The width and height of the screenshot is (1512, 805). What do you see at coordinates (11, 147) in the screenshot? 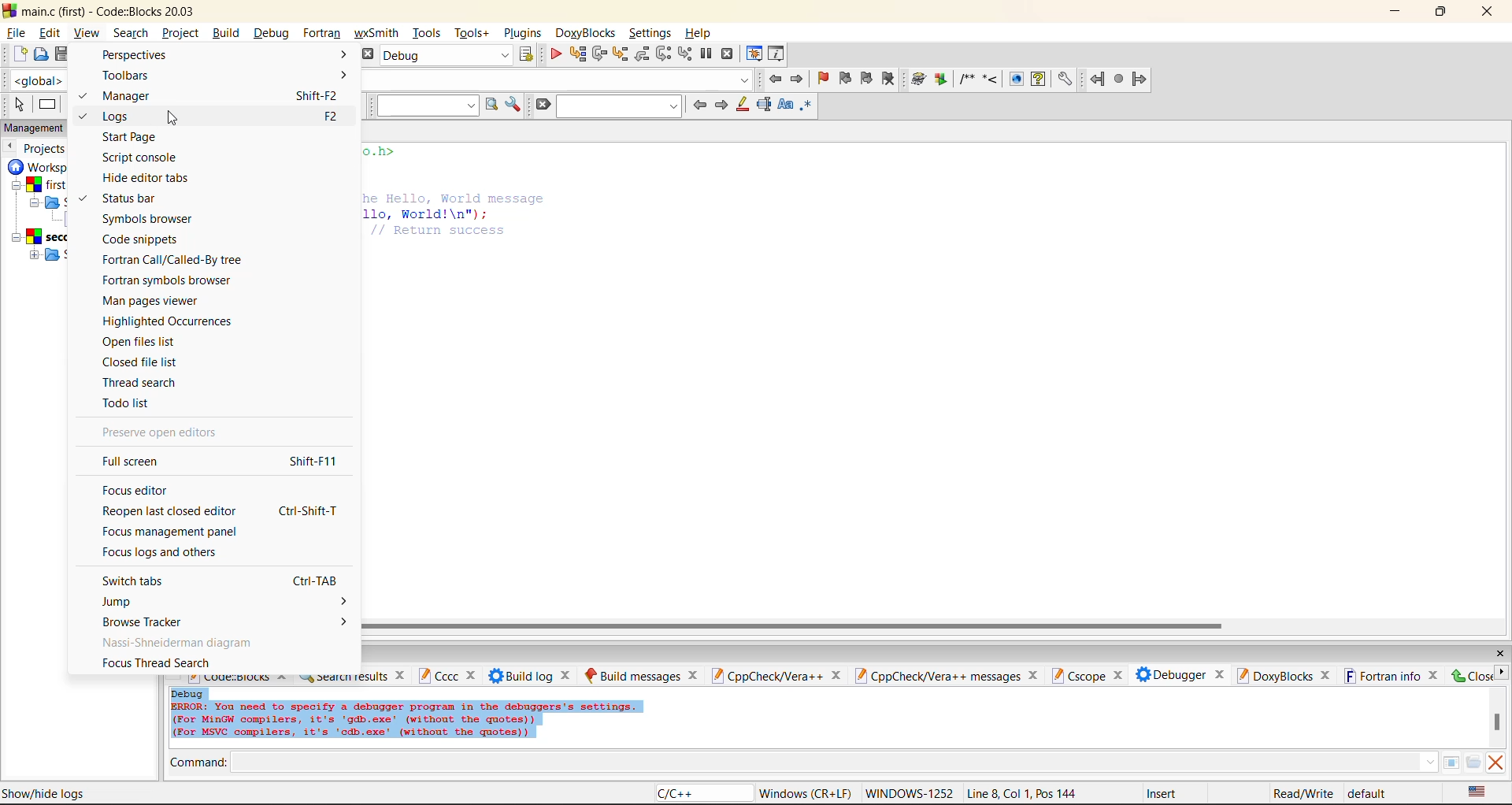
I see `previous` at bounding box center [11, 147].